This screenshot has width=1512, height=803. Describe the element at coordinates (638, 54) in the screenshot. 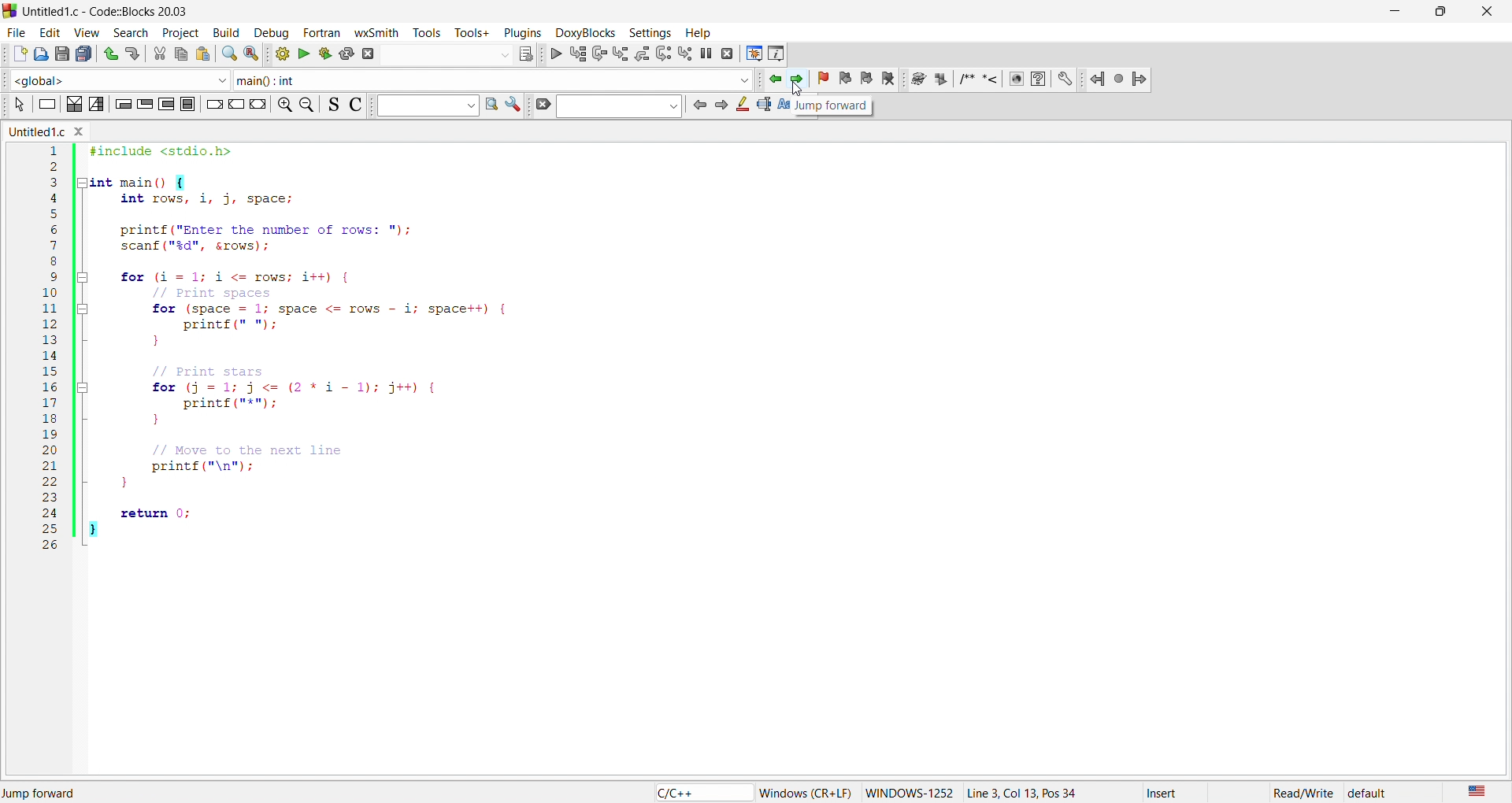

I see `debug icons` at that location.